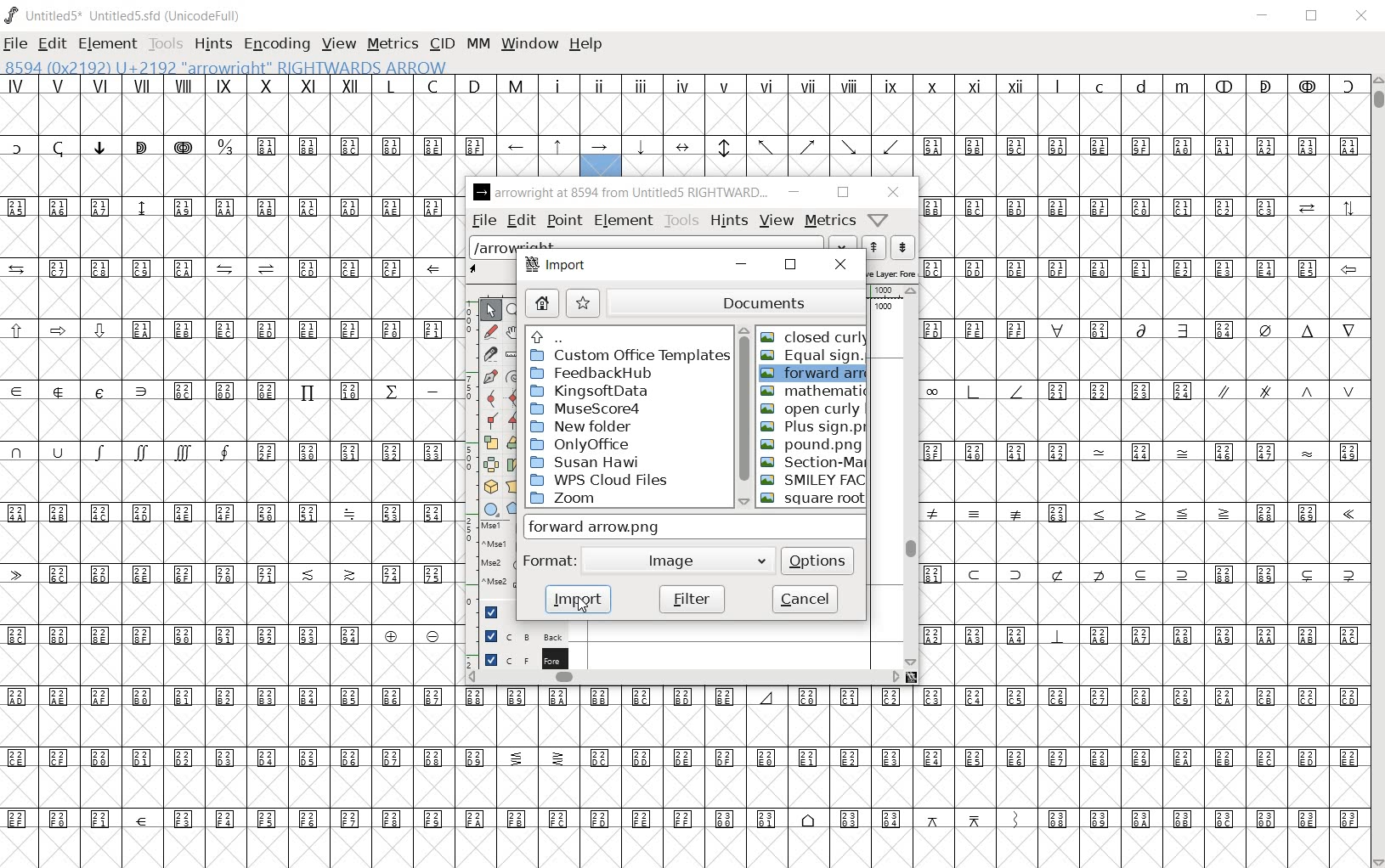  What do you see at coordinates (593, 392) in the screenshot?
I see `KingsoftData` at bounding box center [593, 392].